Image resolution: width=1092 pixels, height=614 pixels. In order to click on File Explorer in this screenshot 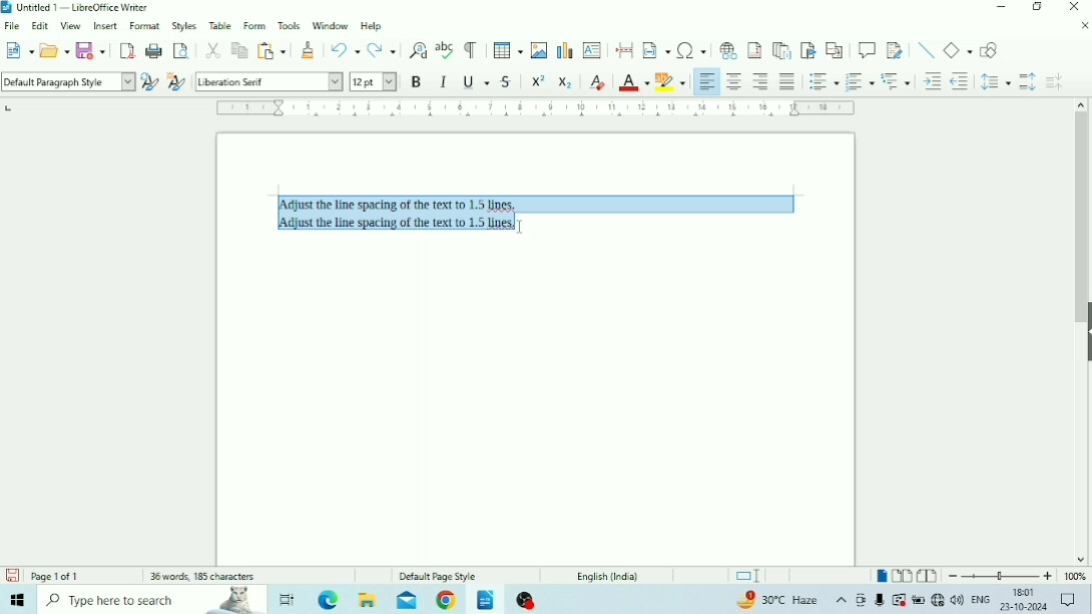, I will do `click(367, 599)`.